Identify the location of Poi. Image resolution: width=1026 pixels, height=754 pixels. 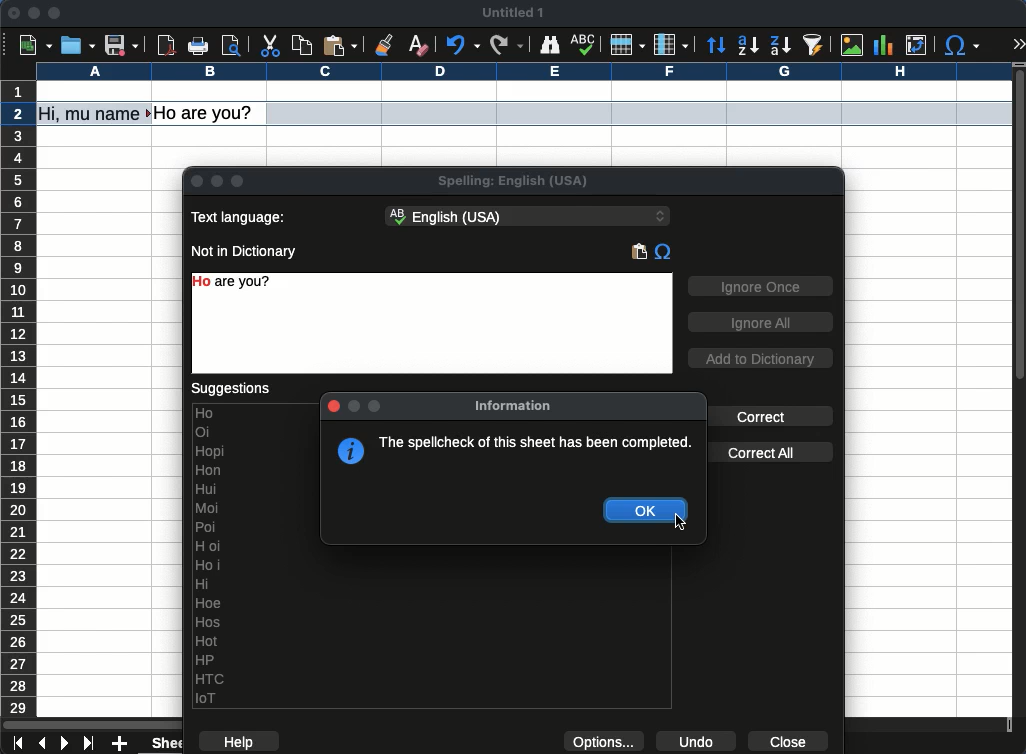
(207, 527).